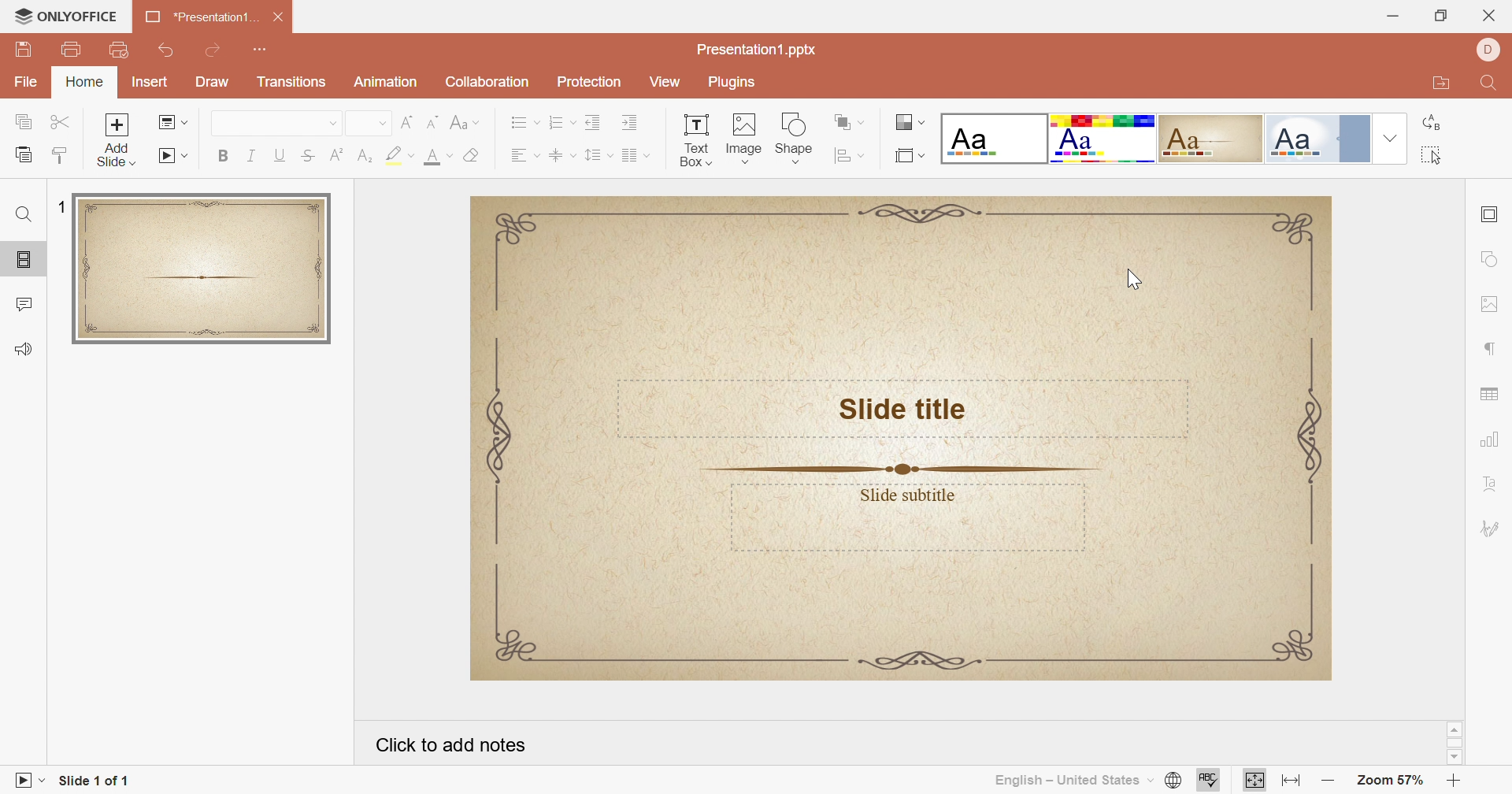 Image resolution: width=1512 pixels, height=794 pixels. What do you see at coordinates (487, 83) in the screenshot?
I see `Collaboration` at bounding box center [487, 83].